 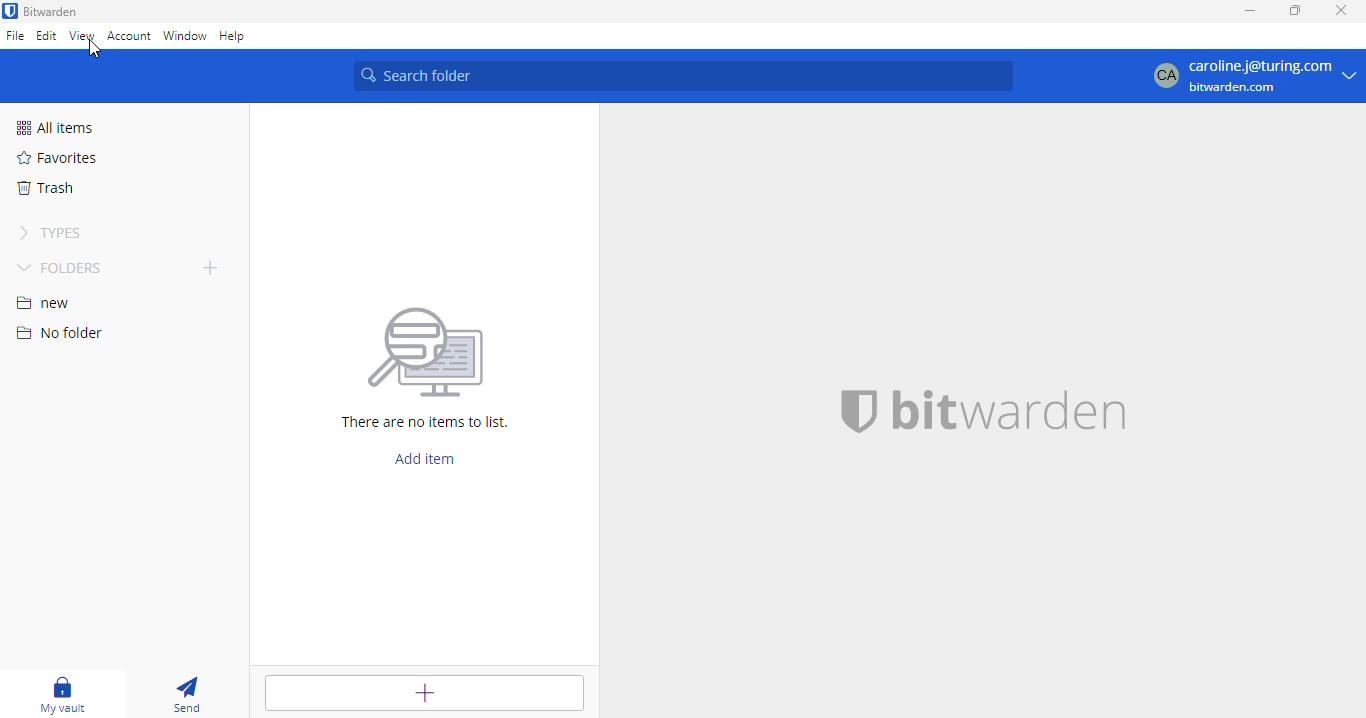 What do you see at coordinates (130, 35) in the screenshot?
I see `account` at bounding box center [130, 35].